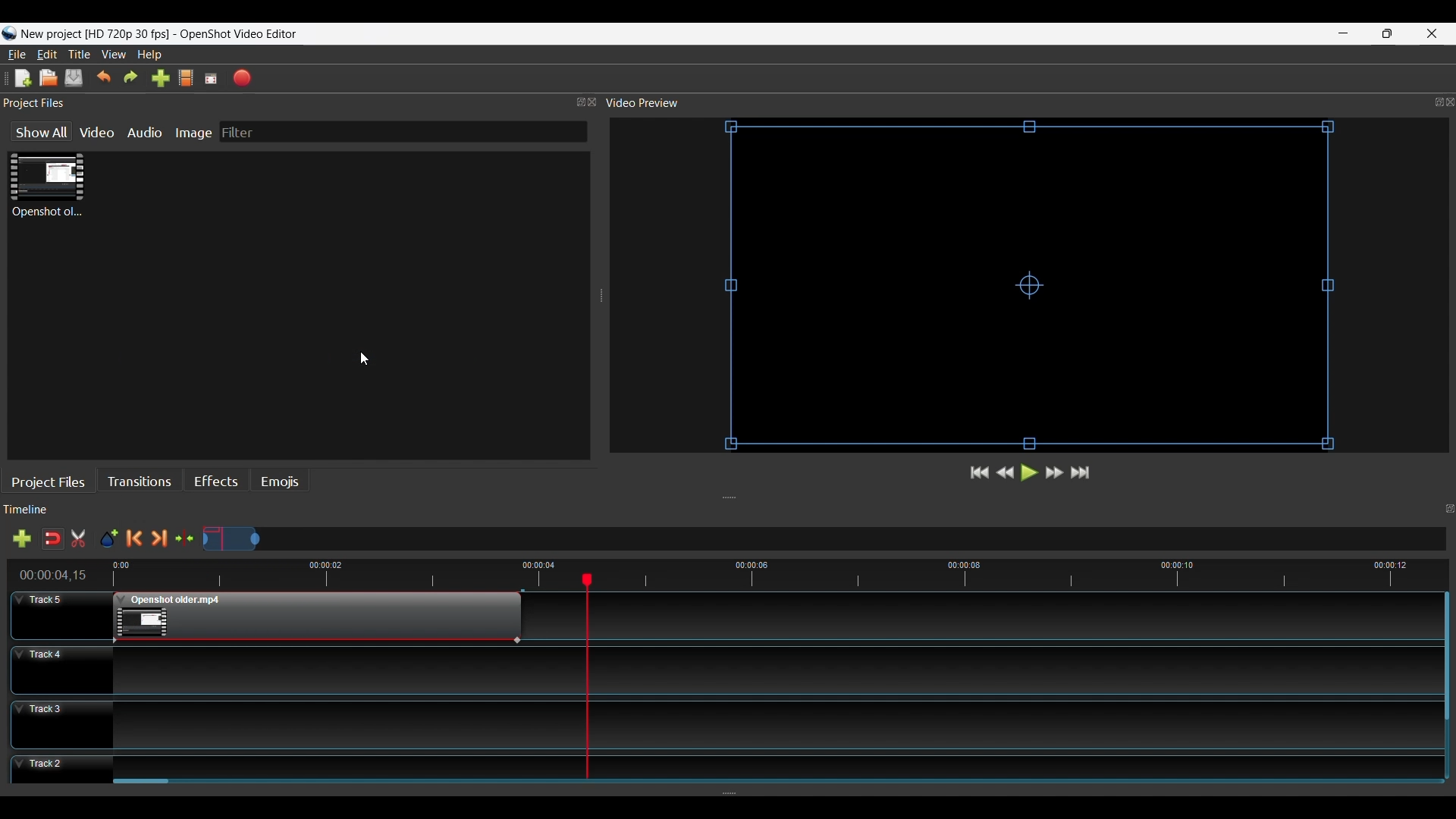 The height and width of the screenshot is (819, 1456). I want to click on Title, so click(81, 55).